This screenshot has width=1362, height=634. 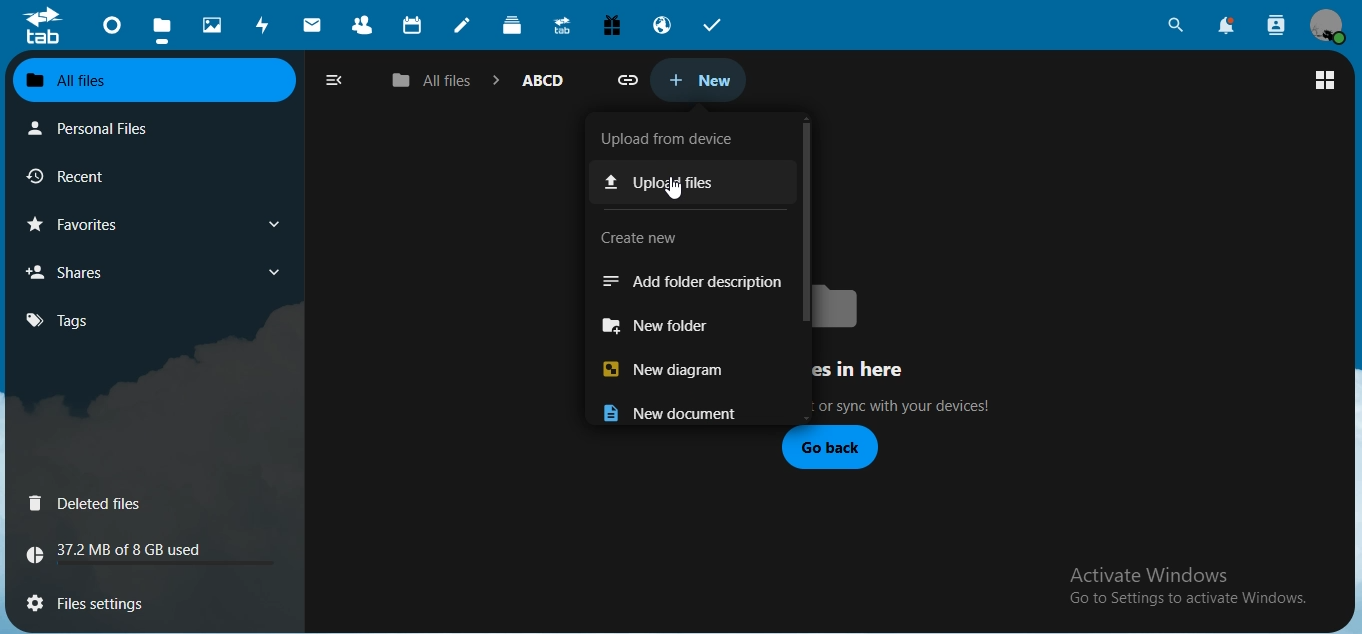 I want to click on upgrade, so click(x=565, y=27).